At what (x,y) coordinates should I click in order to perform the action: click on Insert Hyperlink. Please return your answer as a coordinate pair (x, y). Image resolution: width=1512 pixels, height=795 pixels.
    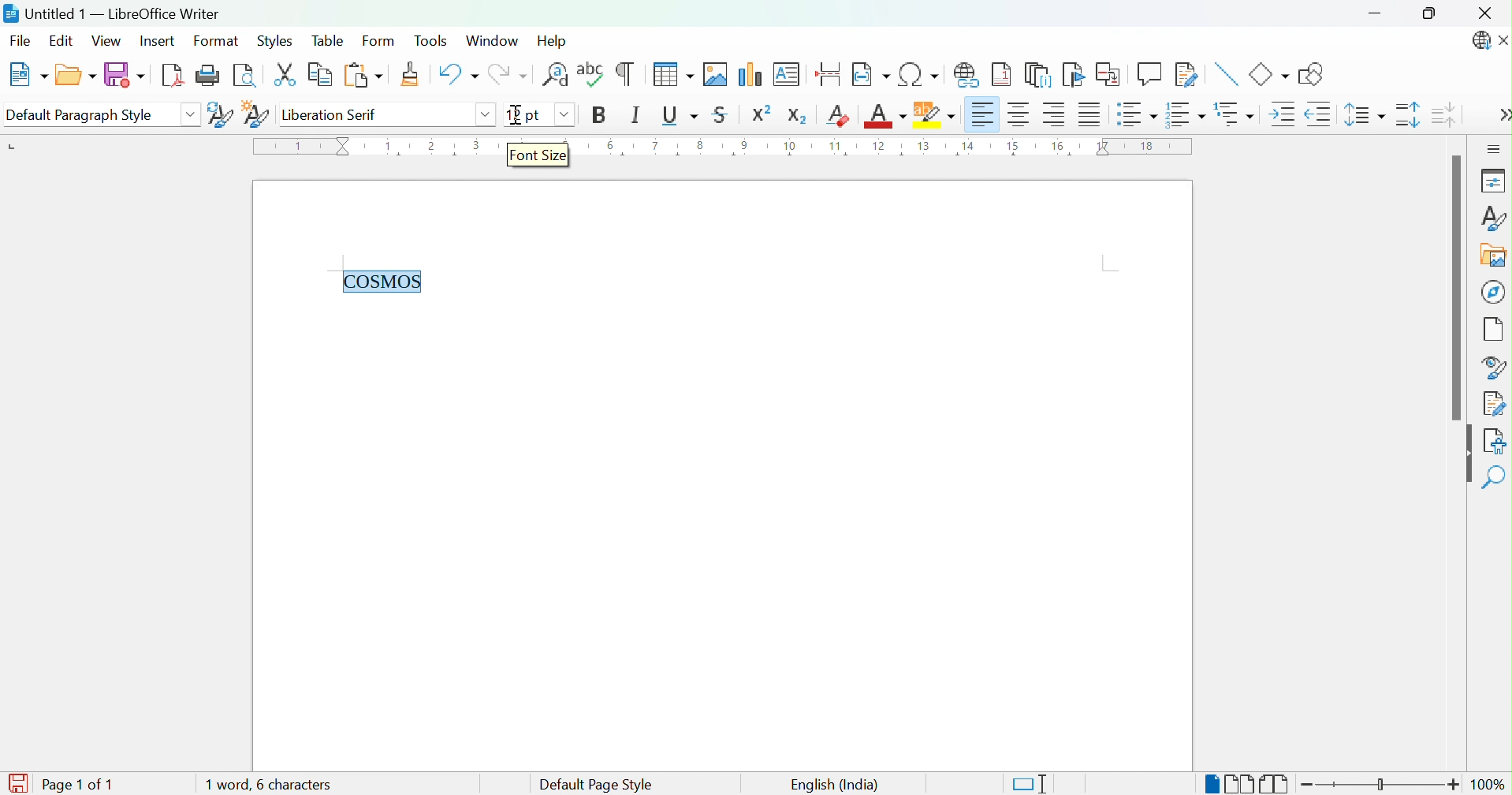
    Looking at the image, I should click on (968, 73).